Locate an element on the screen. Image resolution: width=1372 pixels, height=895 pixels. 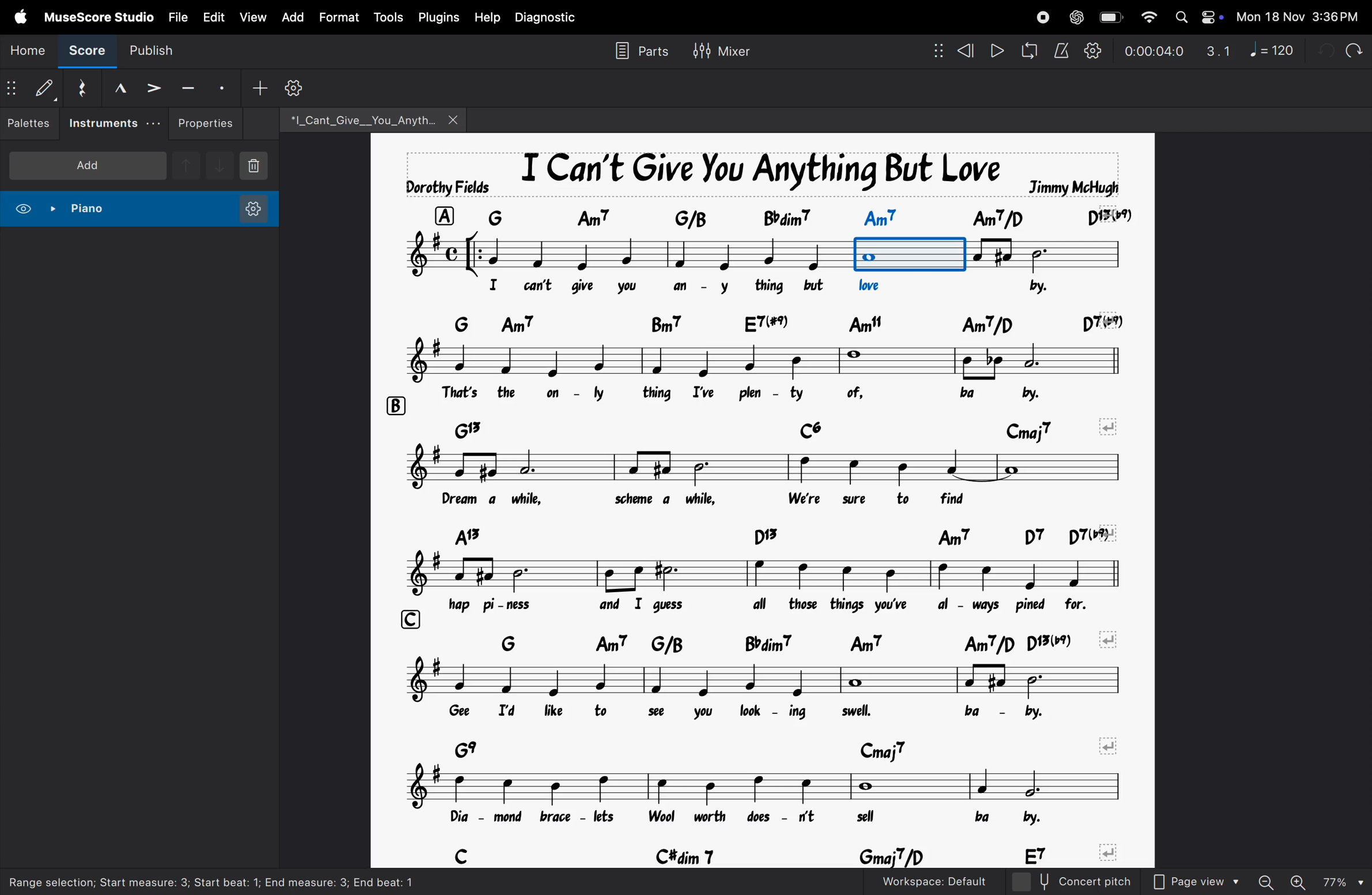
notes is located at coordinates (624, 254).